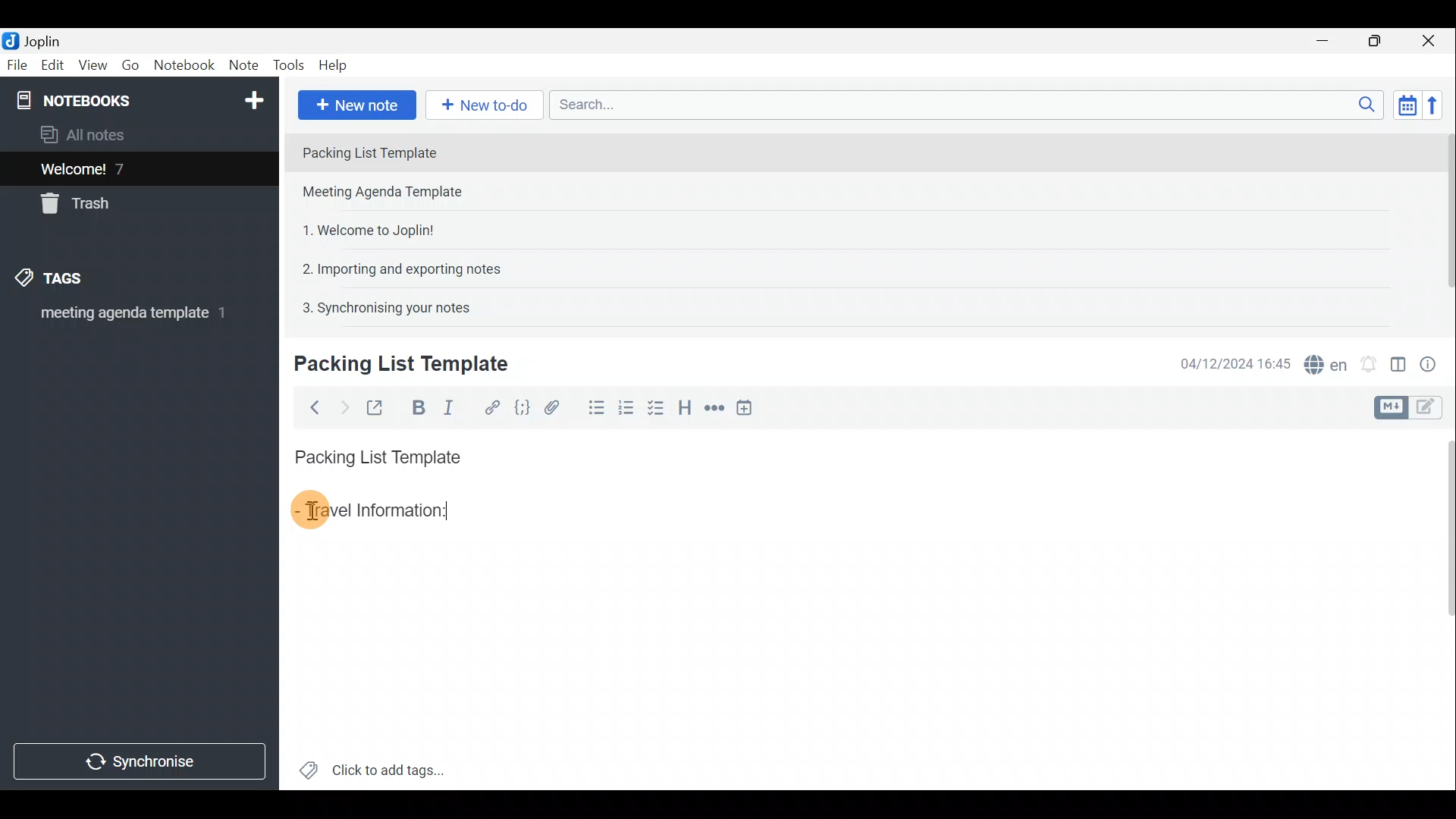 The height and width of the screenshot is (819, 1456). Describe the element at coordinates (1438, 104) in the screenshot. I see `Reverse sort order` at that location.